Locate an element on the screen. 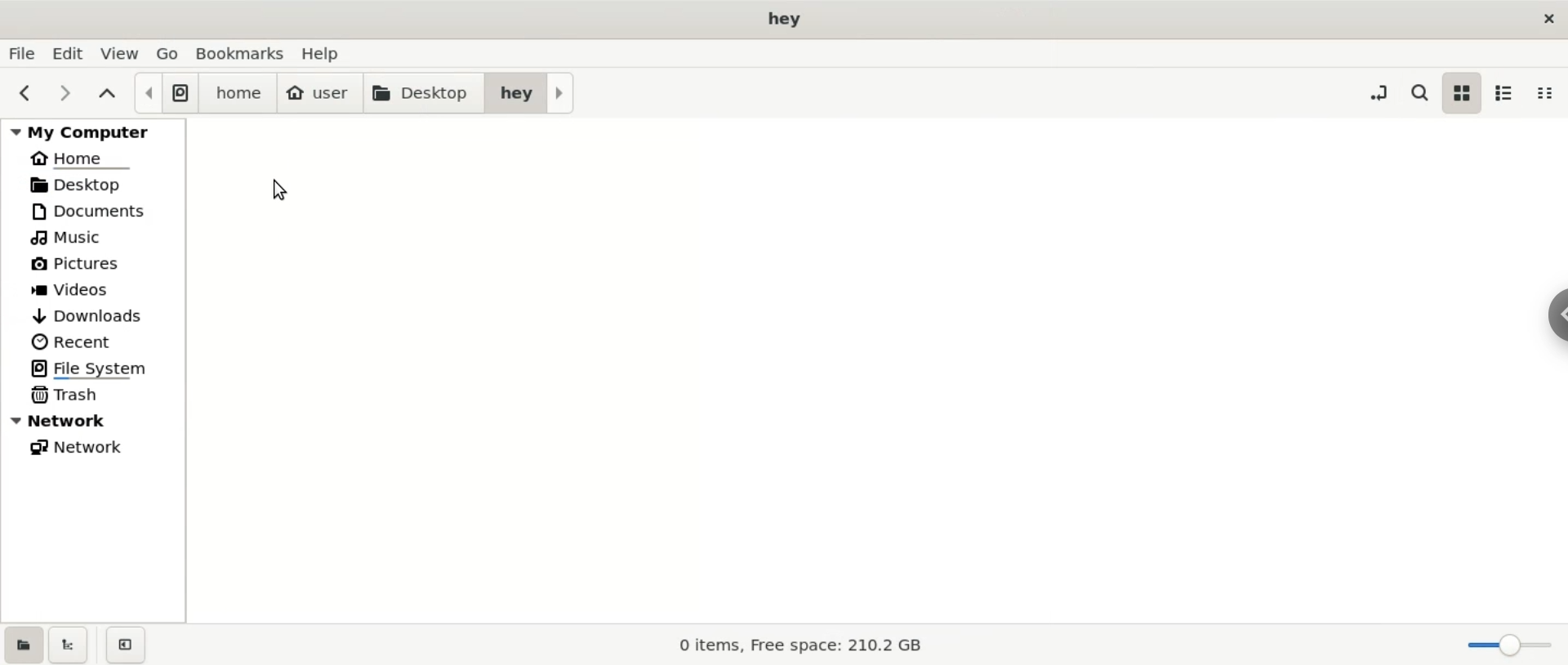 The width and height of the screenshot is (1568, 665). show places is located at coordinates (22, 644).